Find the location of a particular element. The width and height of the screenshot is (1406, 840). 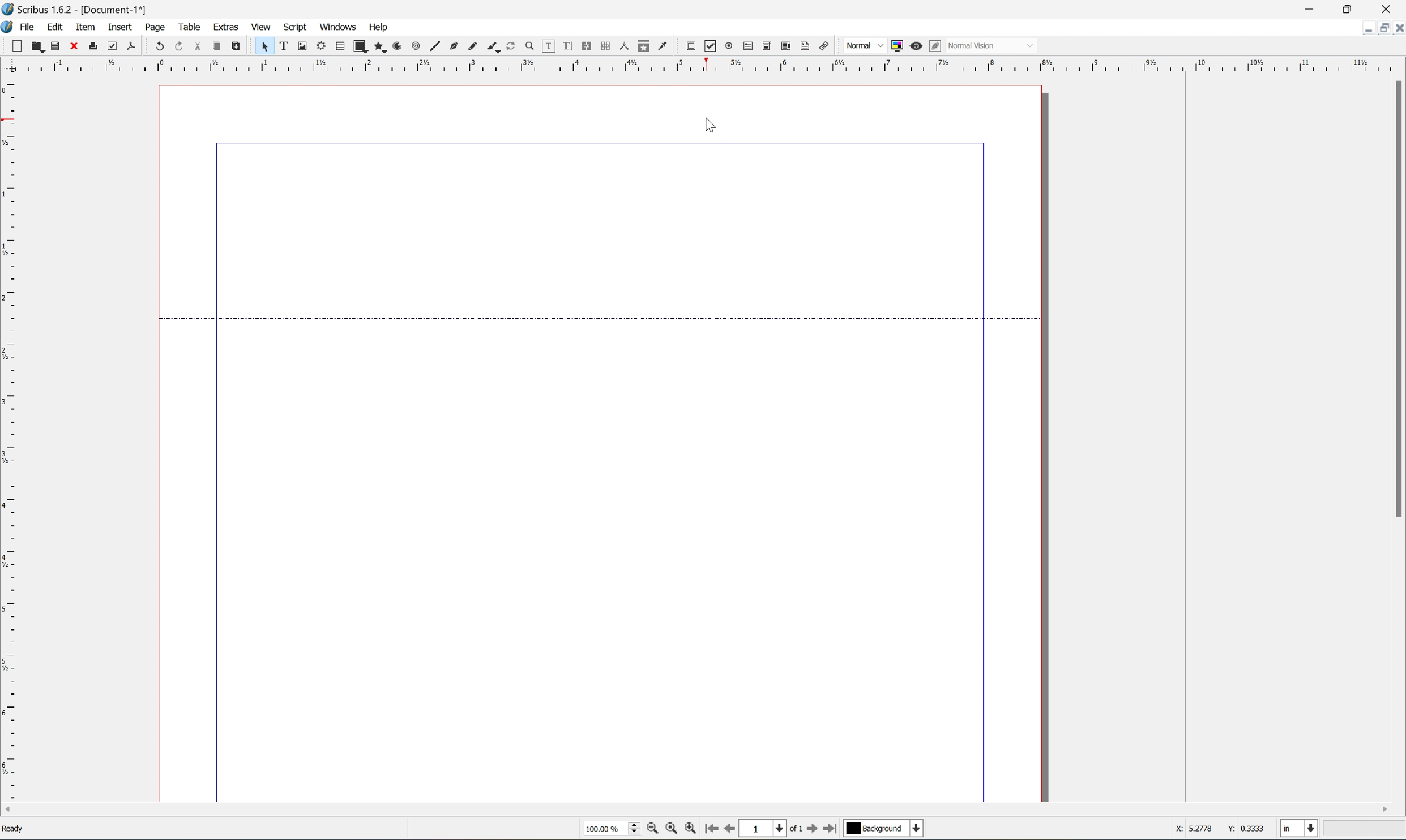

text frame is located at coordinates (283, 46).